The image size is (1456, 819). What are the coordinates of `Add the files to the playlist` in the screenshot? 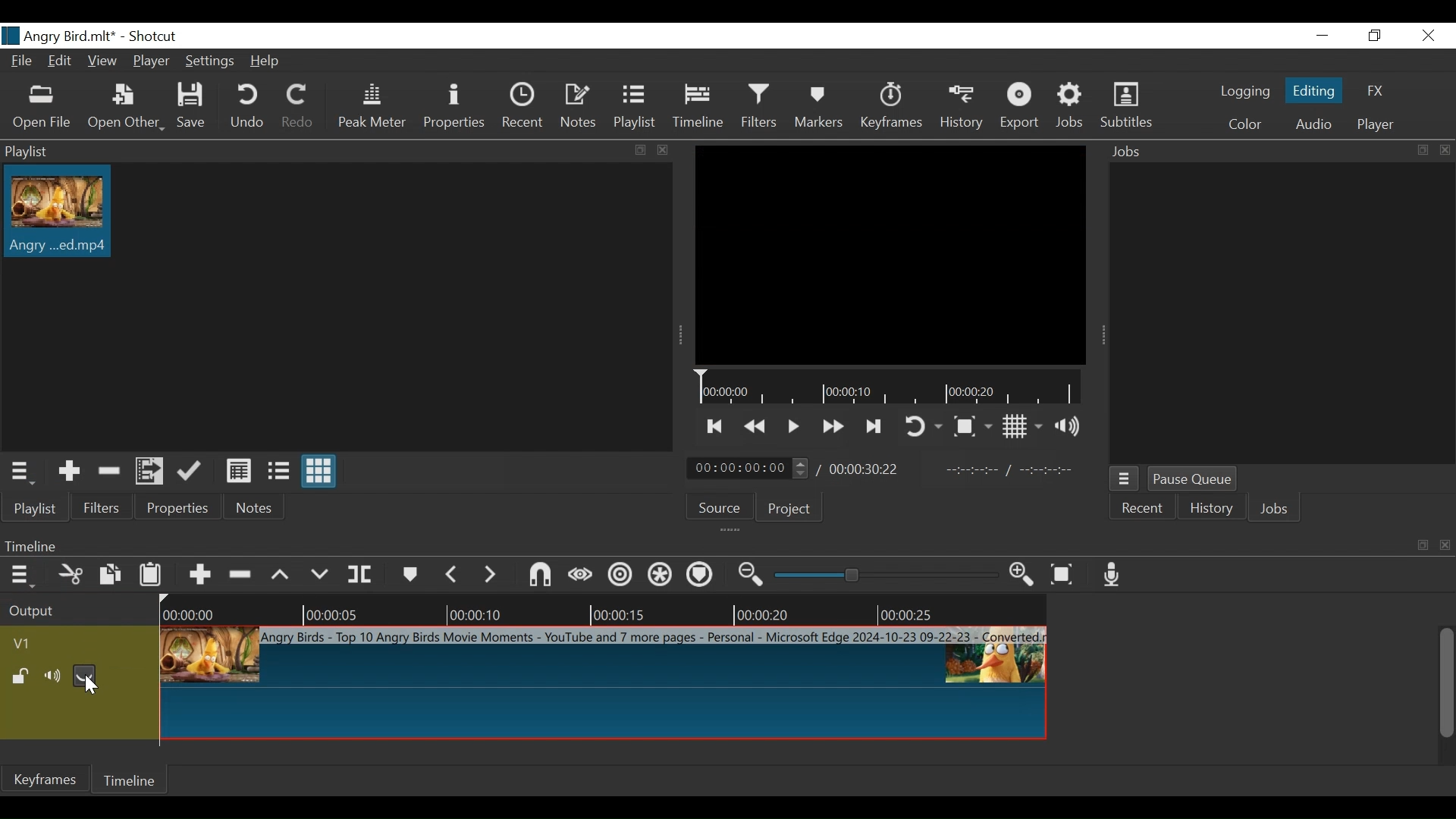 It's located at (149, 470).